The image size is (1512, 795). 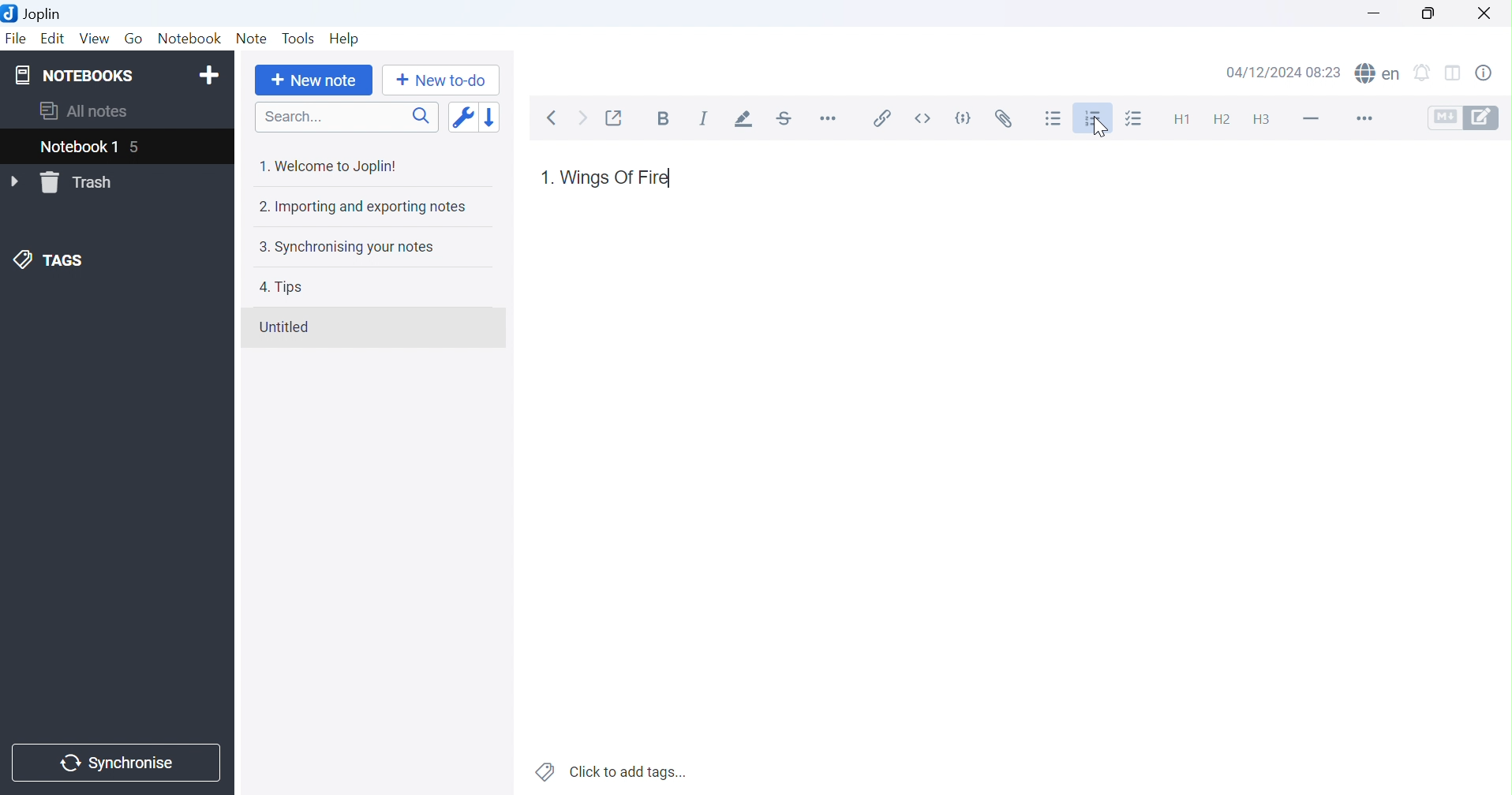 I want to click on NOTEBOOKS, so click(x=73, y=76).